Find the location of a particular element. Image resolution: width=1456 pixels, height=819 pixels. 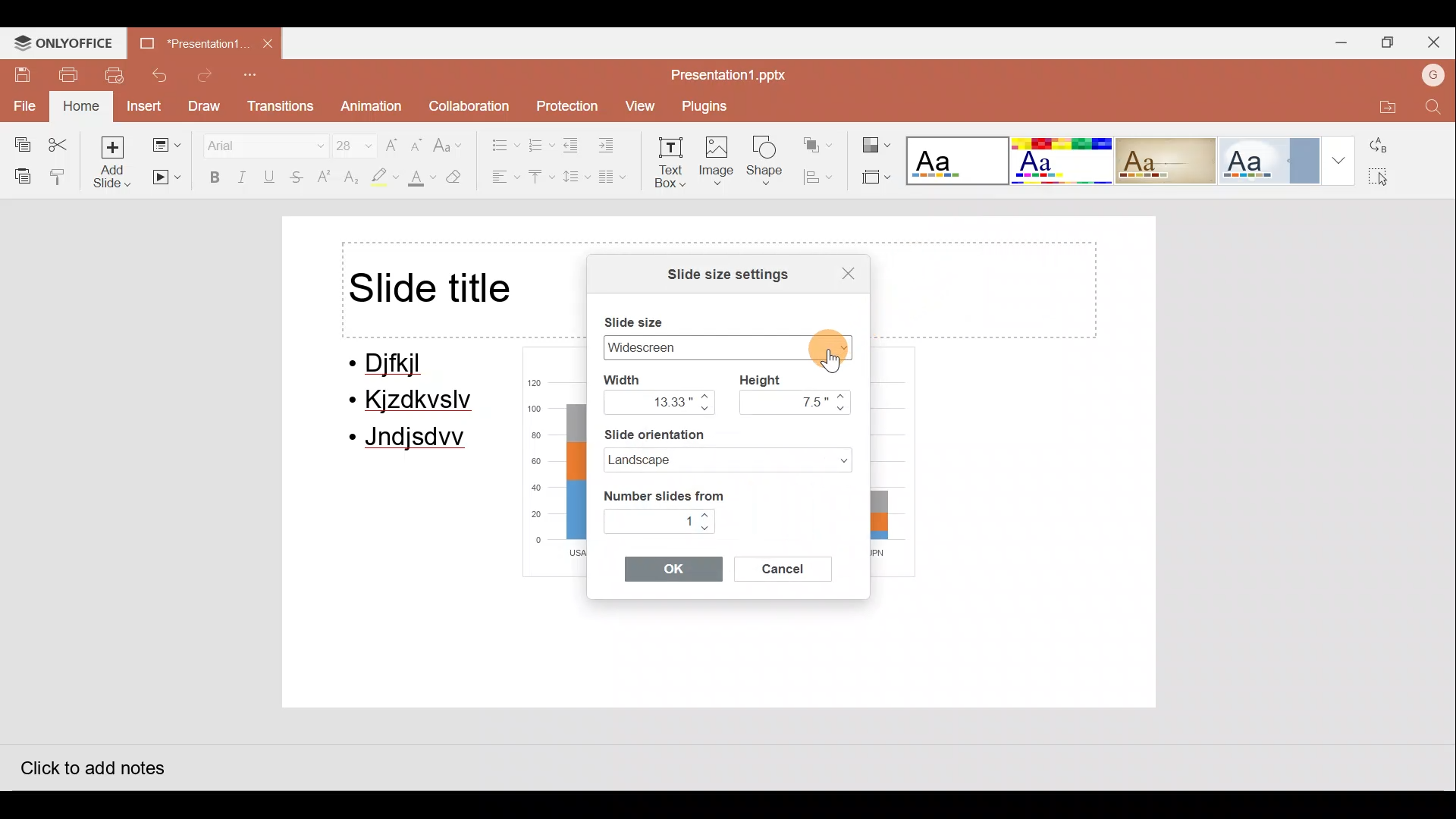

Theme 1 is located at coordinates (959, 162).